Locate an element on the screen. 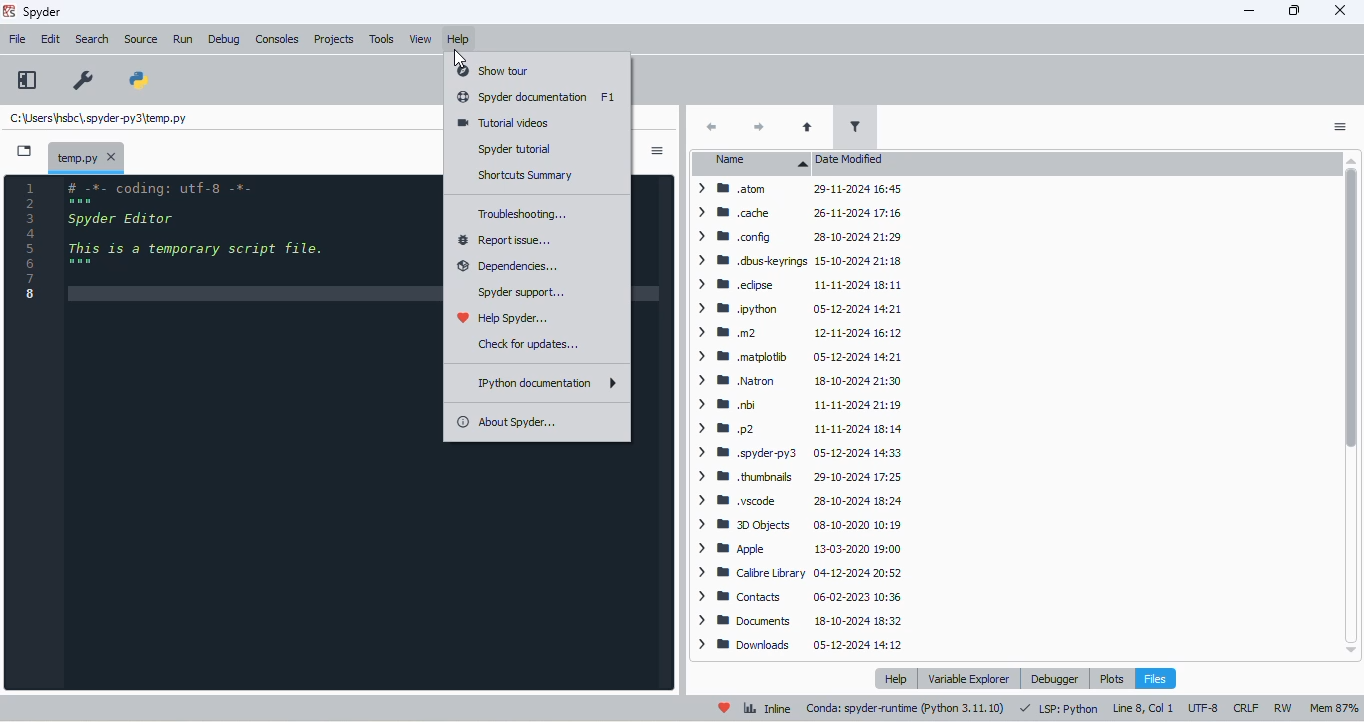  > BB Downloads 05-12-2024 14:12 is located at coordinates (799, 645).